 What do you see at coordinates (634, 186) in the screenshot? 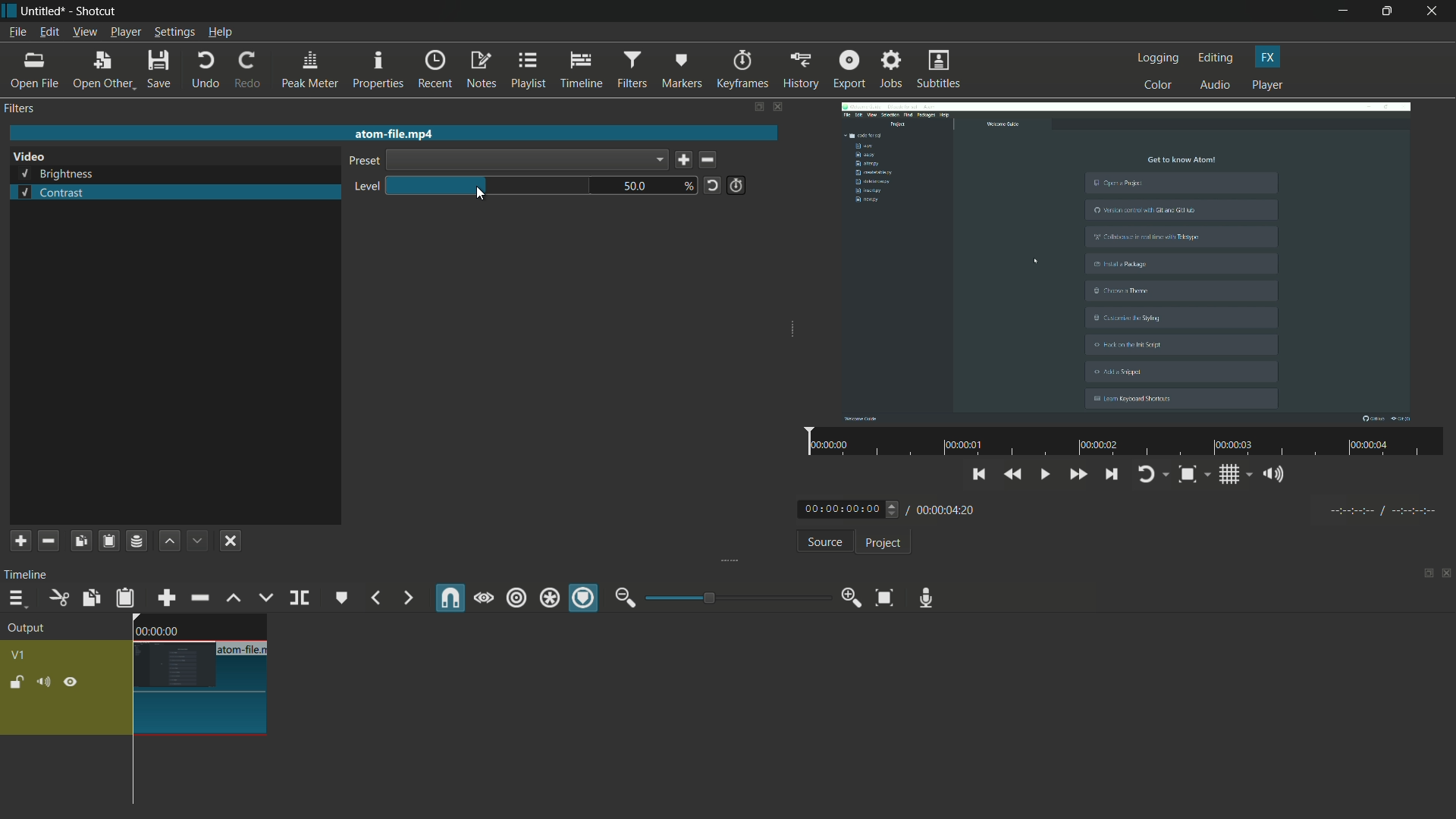
I see `50.0` at bounding box center [634, 186].